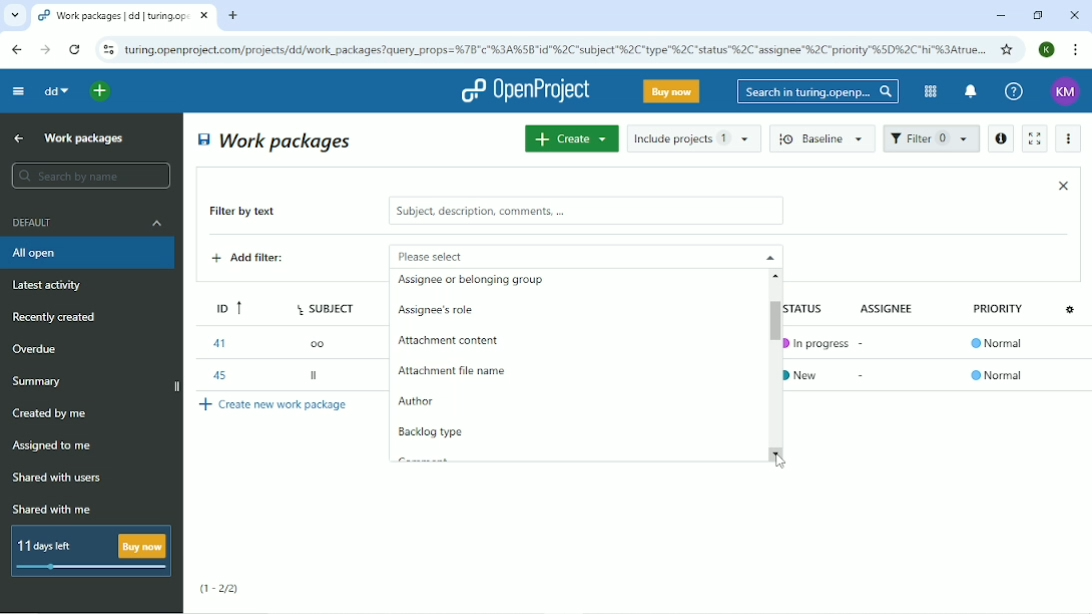 Image resolution: width=1092 pixels, height=614 pixels. I want to click on Cursor, so click(781, 460).